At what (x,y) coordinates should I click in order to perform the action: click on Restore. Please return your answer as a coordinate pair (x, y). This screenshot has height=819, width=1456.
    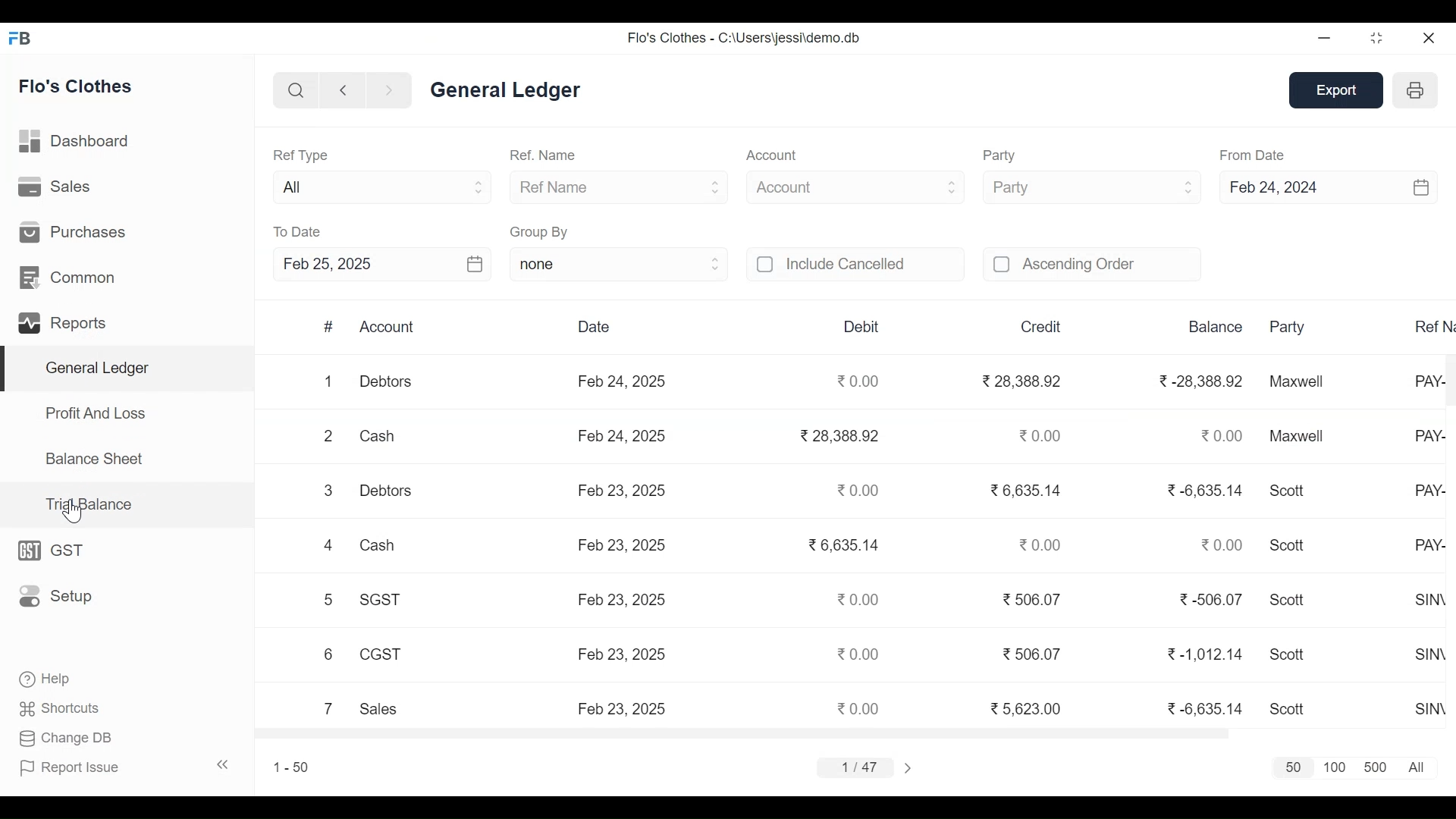
    Looking at the image, I should click on (1379, 37).